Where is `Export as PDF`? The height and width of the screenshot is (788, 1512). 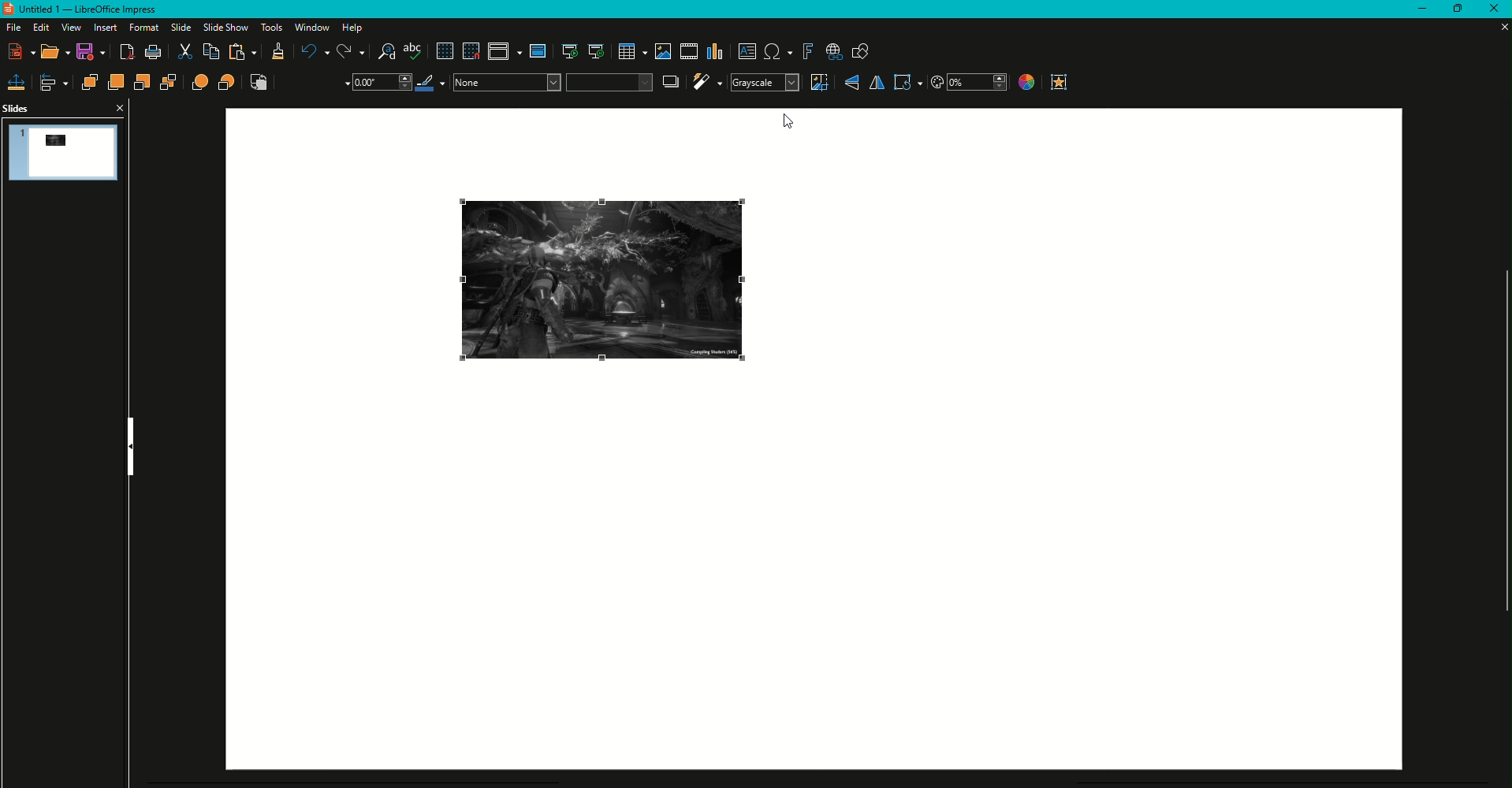 Export as PDF is located at coordinates (128, 54).